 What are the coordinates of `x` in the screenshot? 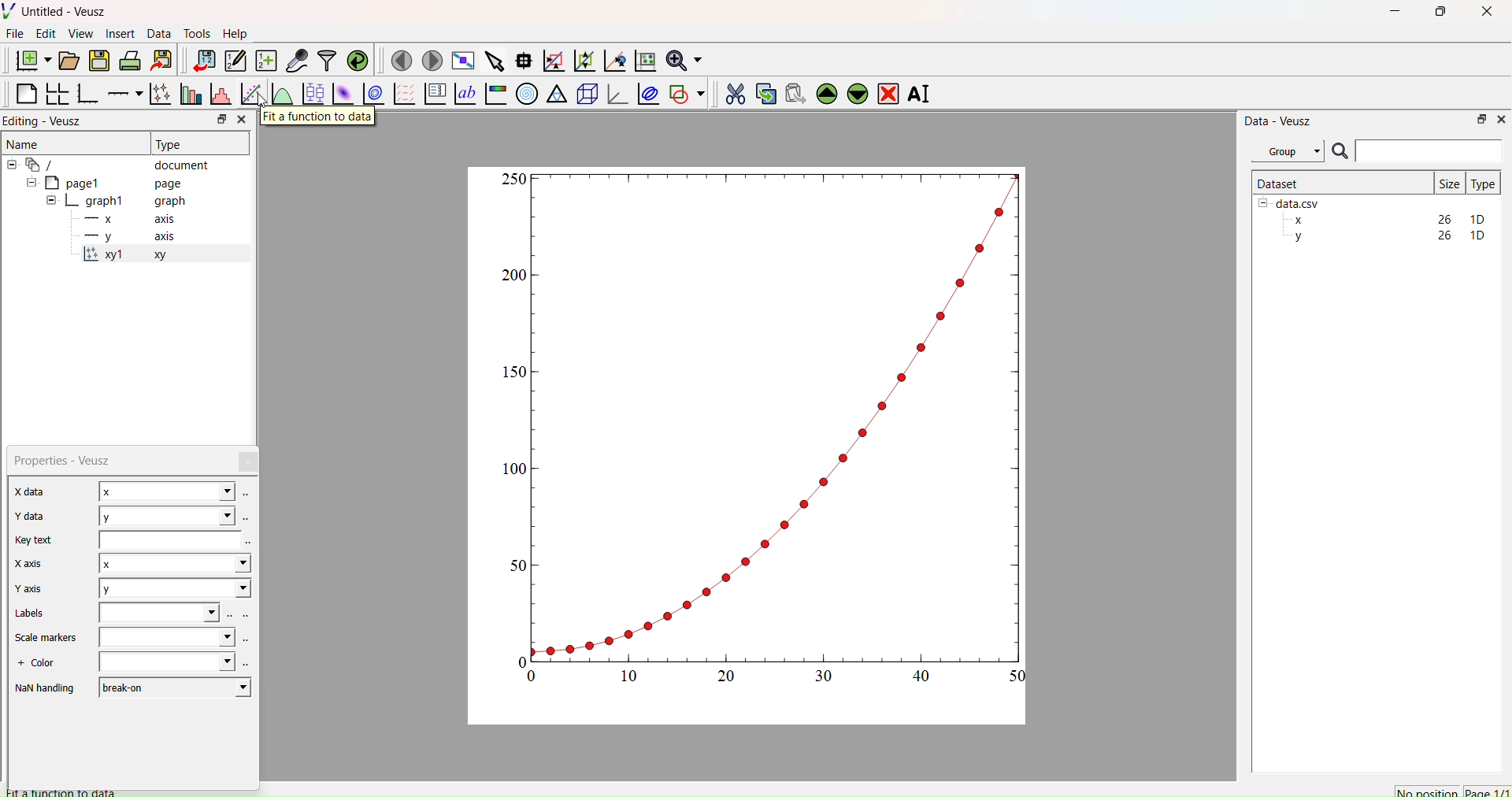 It's located at (165, 492).